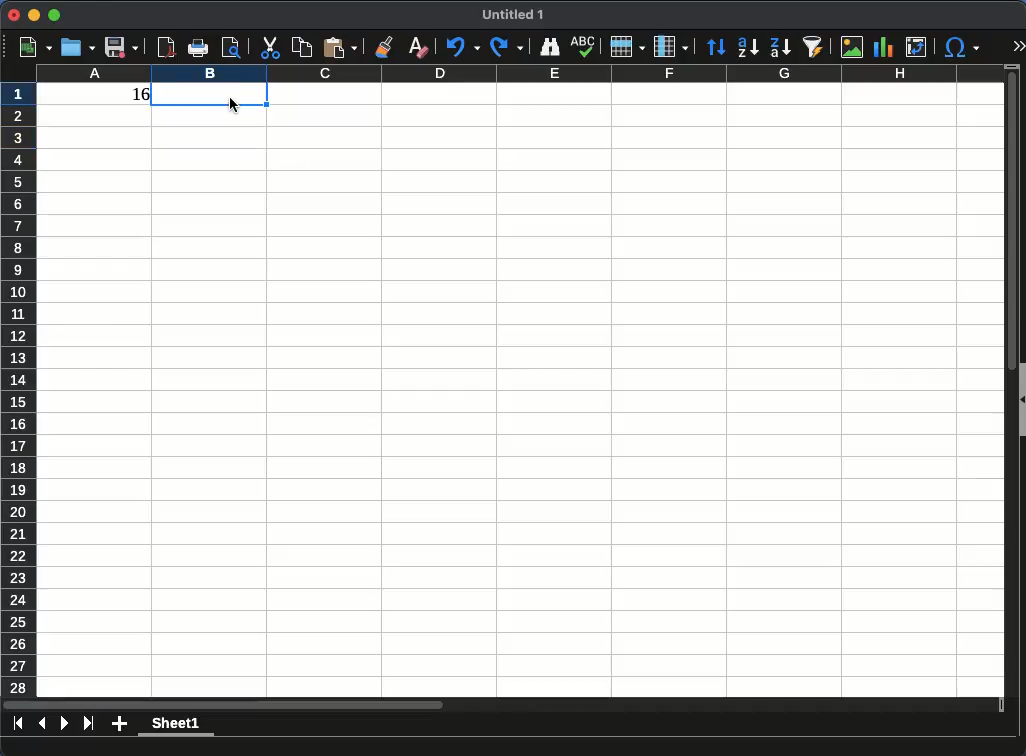  I want to click on minimize, so click(35, 15).